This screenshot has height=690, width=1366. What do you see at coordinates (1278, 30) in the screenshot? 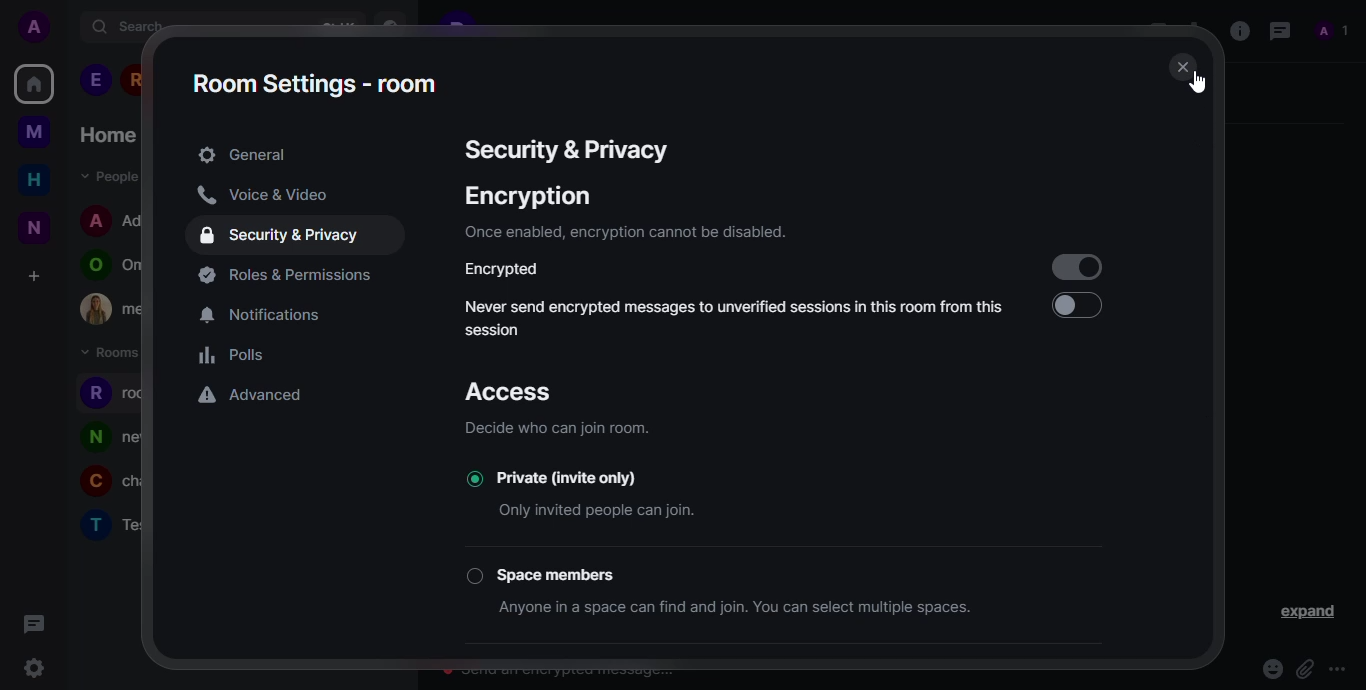
I see `threads` at bounding box center [1278, 30].